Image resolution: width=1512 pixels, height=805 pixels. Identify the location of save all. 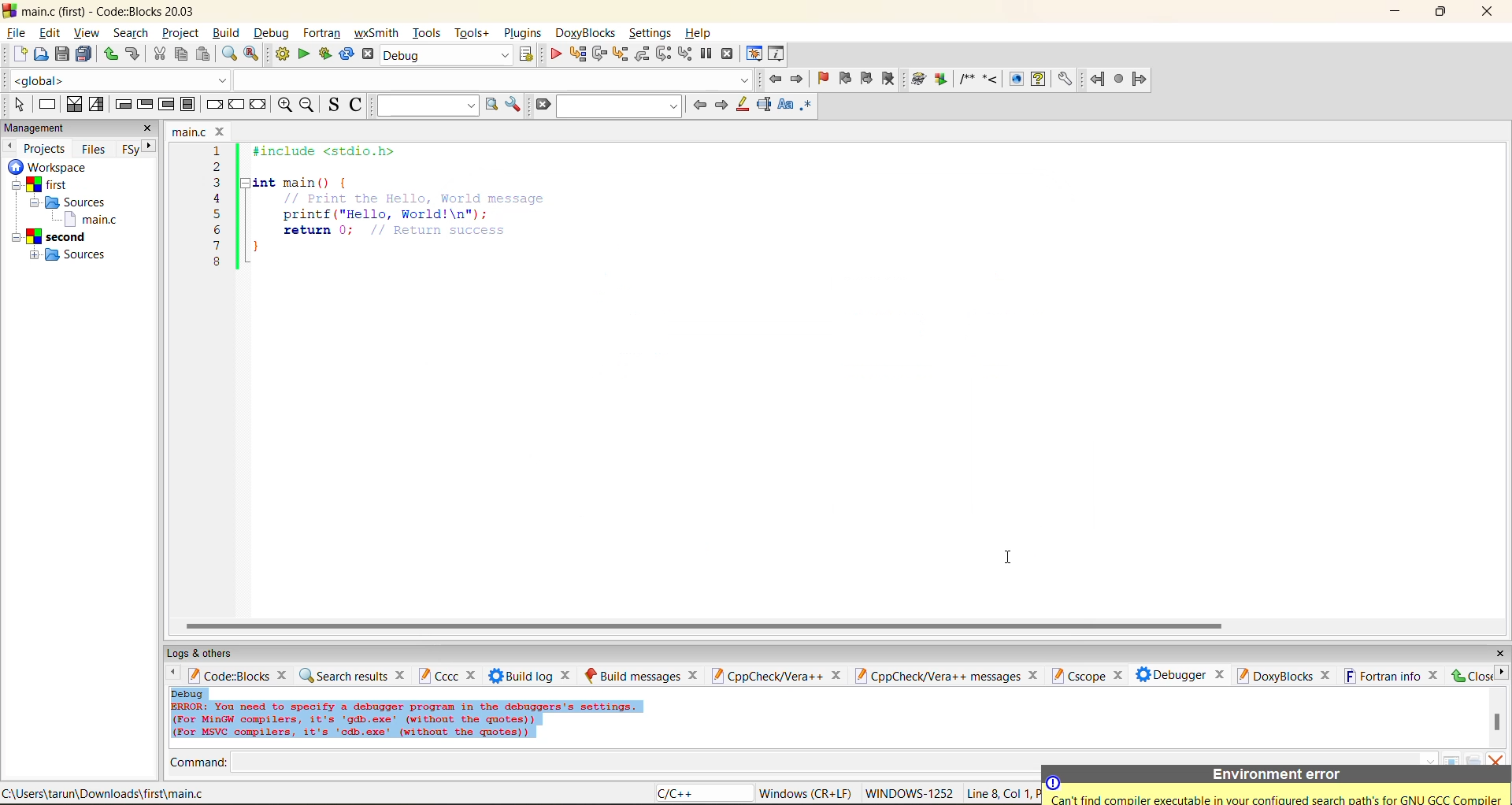
(84, 54).